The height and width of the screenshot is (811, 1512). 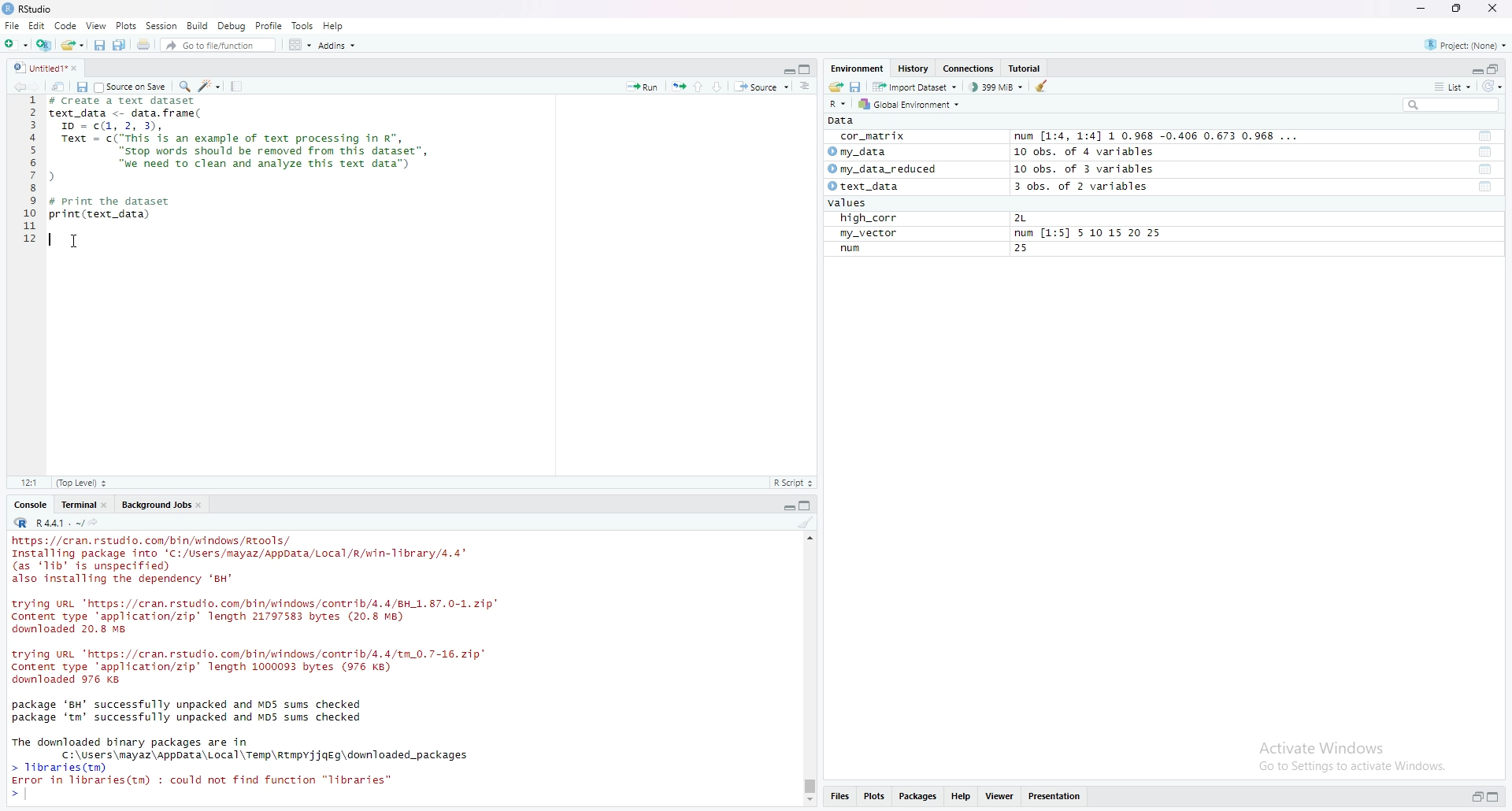 I want to click on 25, so click(x=1022, y=250).